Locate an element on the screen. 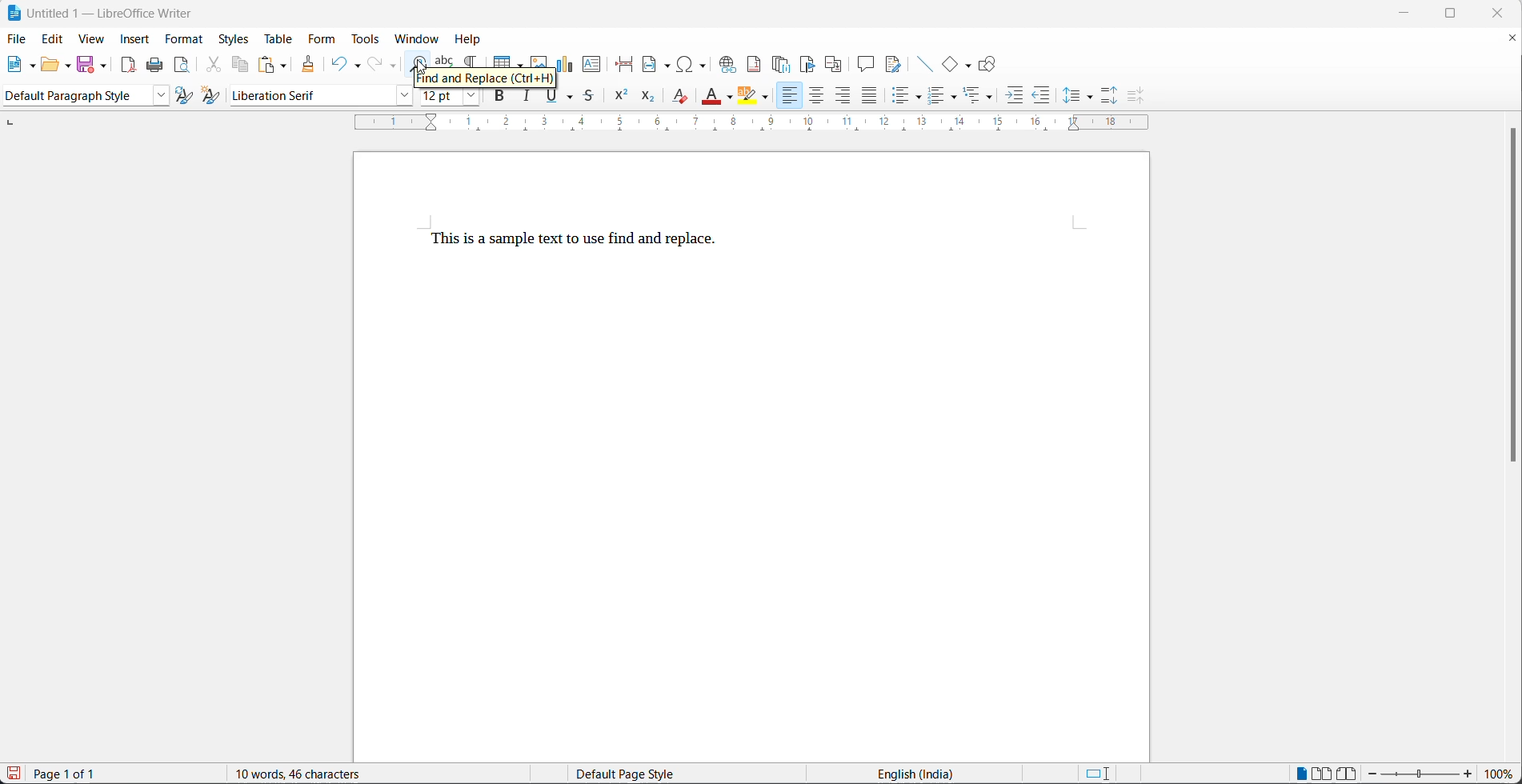 The image size is (1522, 784). create new style with selection is located at coordinates (214, 95).